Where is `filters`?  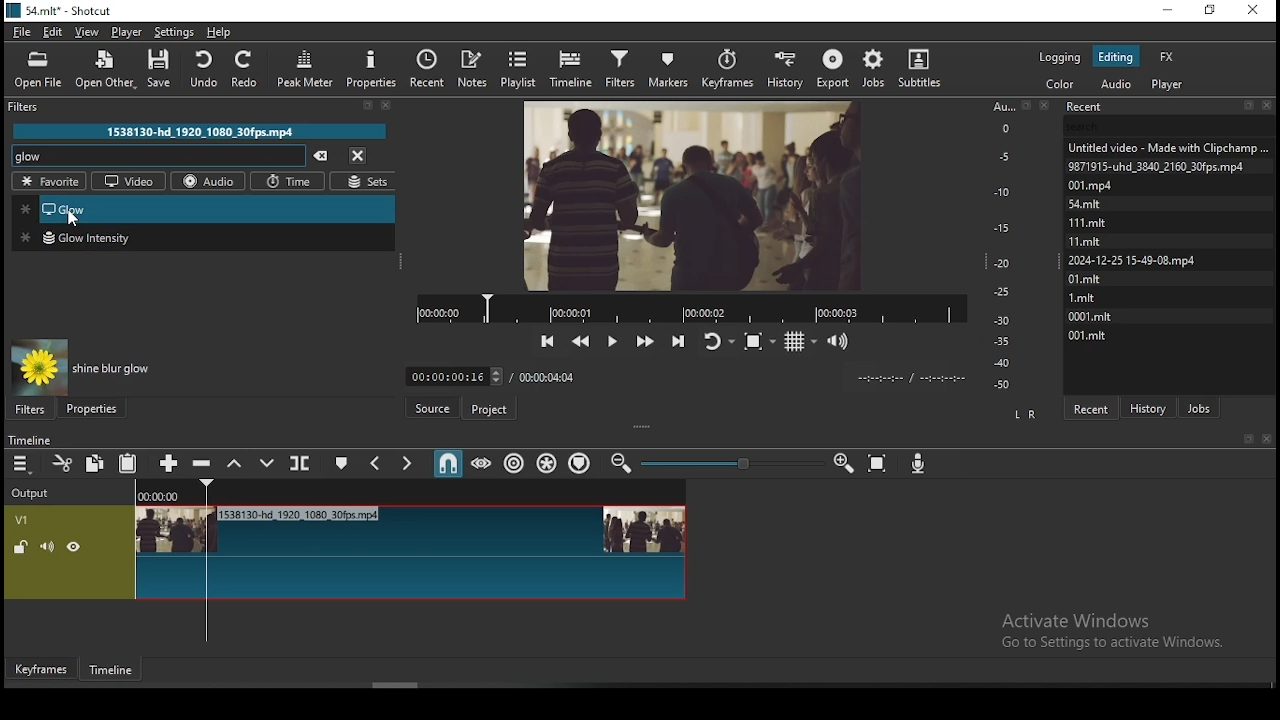
filters is located at coordinates (31, 409).